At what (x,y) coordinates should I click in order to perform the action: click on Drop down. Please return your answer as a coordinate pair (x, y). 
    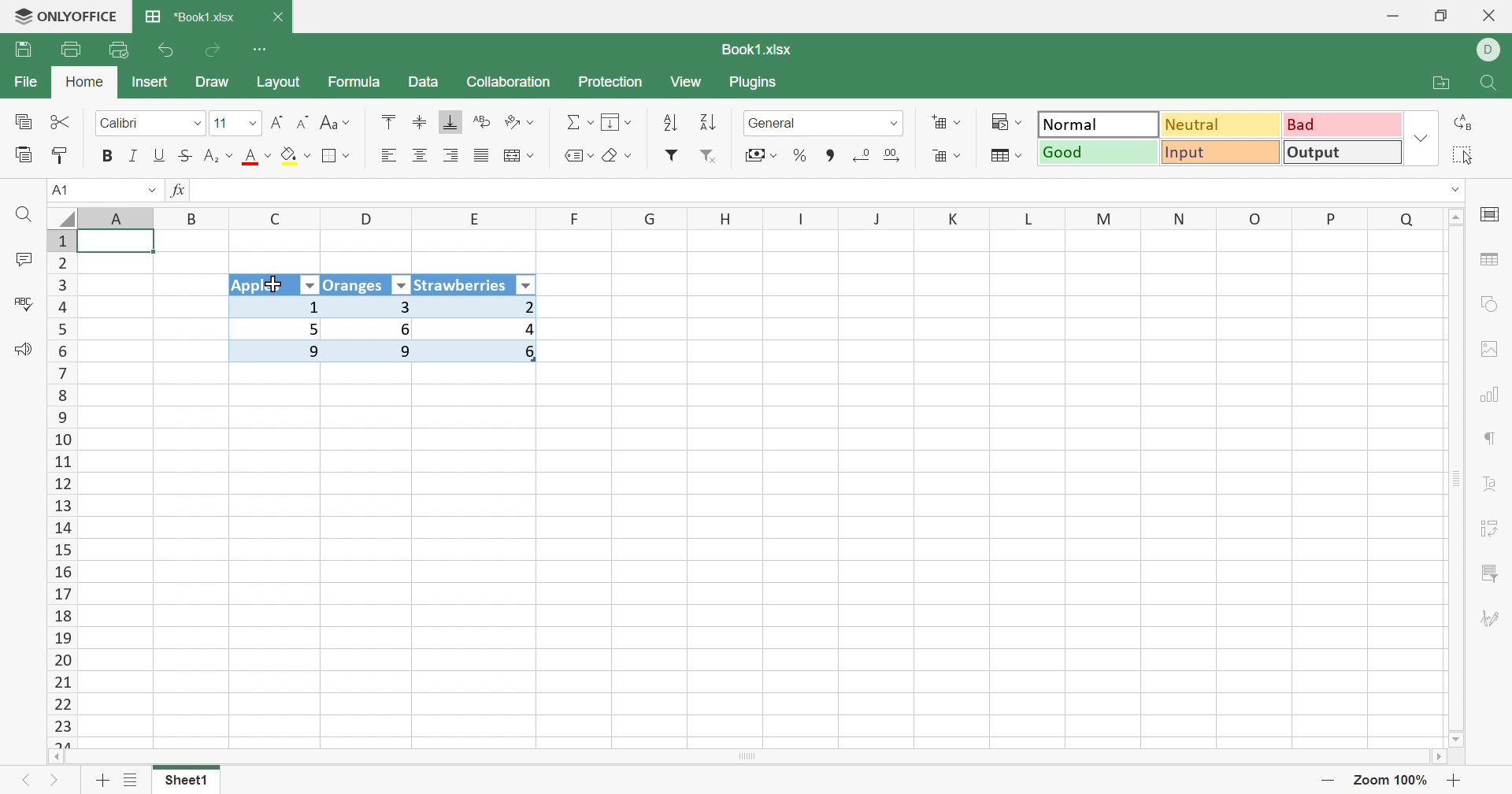
    Looking at the image, I should click on (895, 123).